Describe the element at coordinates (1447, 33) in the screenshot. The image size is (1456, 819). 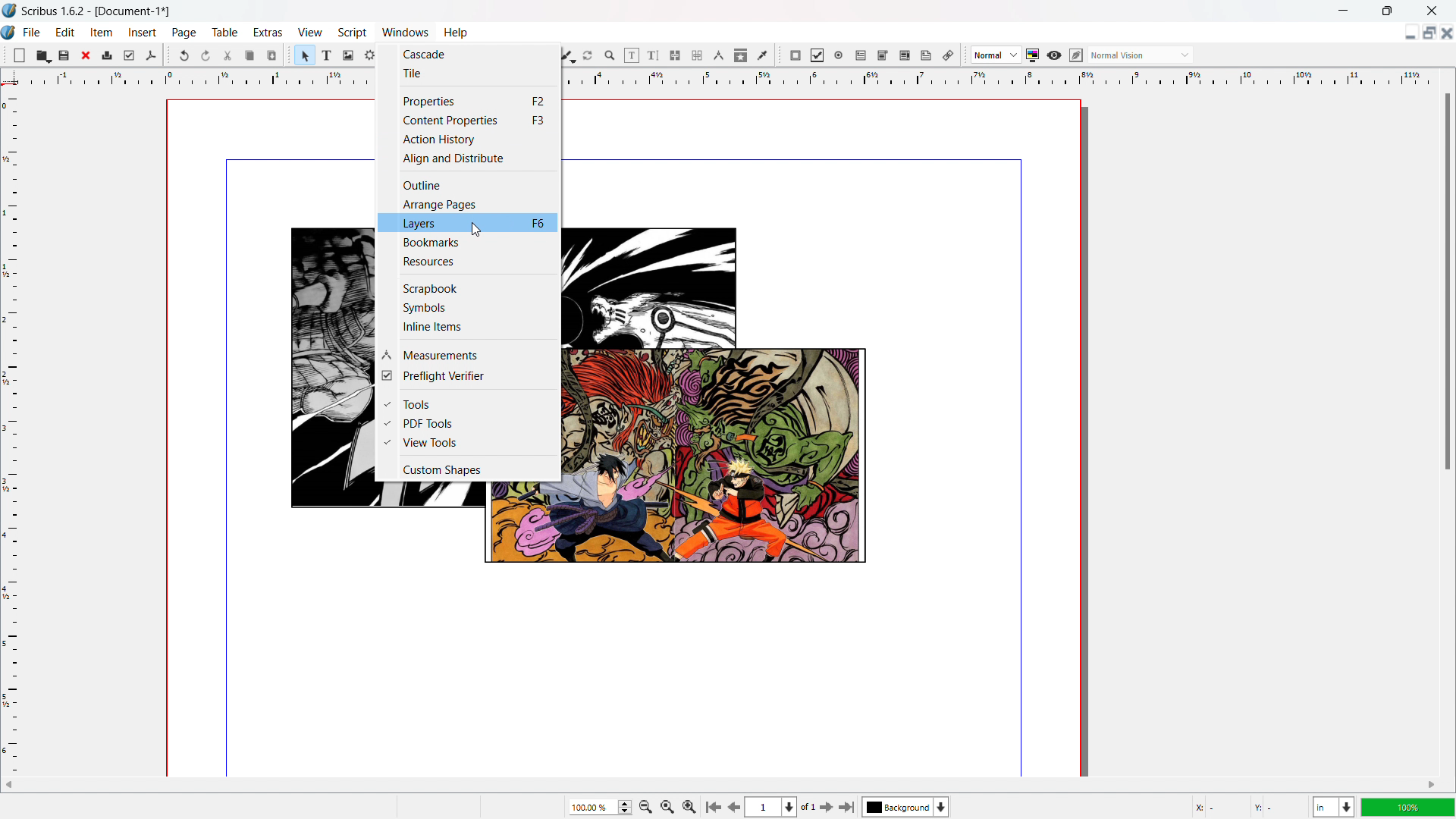
I see `close document` at that location.